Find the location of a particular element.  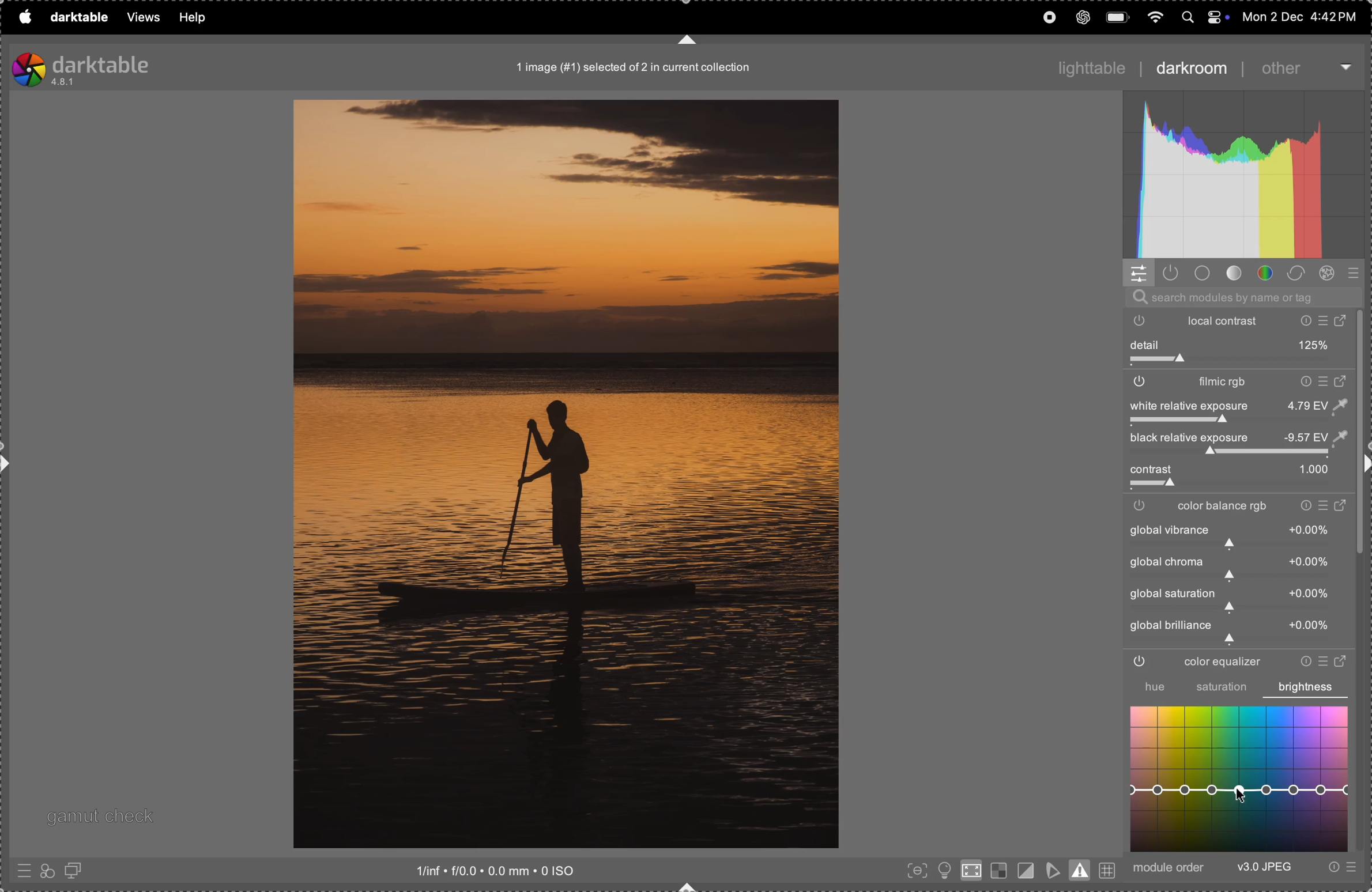

contrast is located at coordinates (1234, 470).